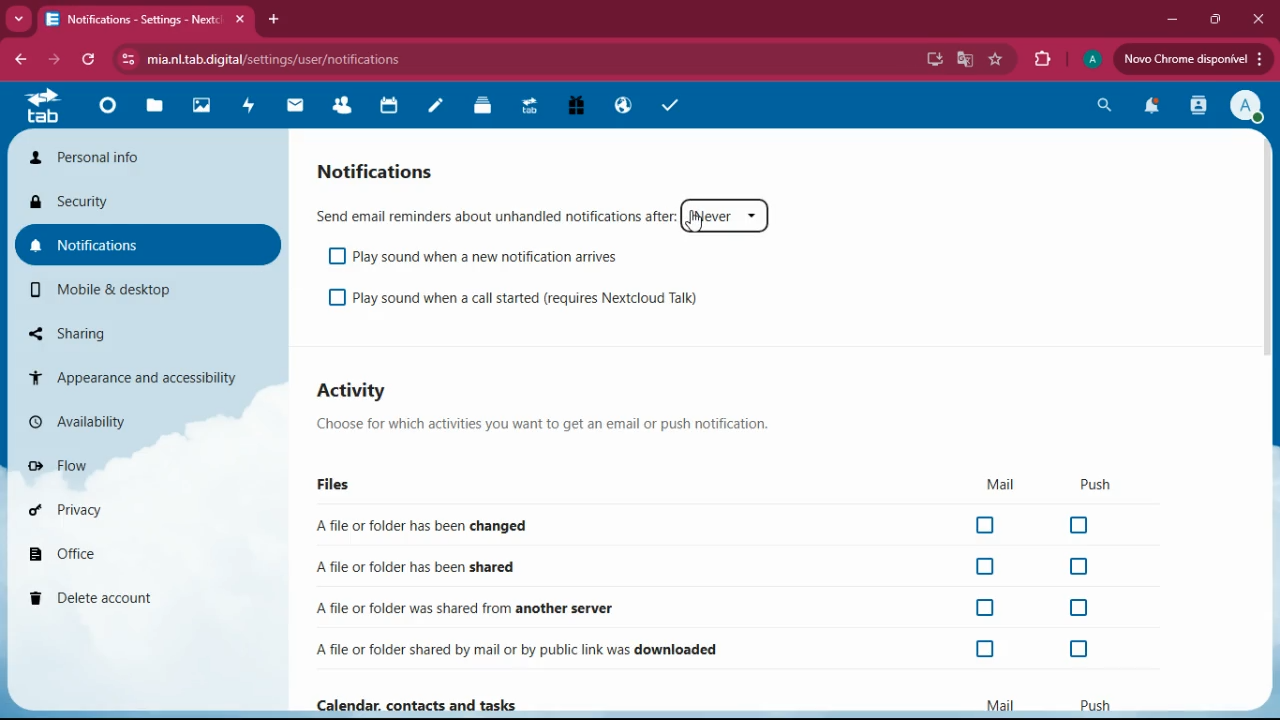  I want to click on another server, so click(472, 607).